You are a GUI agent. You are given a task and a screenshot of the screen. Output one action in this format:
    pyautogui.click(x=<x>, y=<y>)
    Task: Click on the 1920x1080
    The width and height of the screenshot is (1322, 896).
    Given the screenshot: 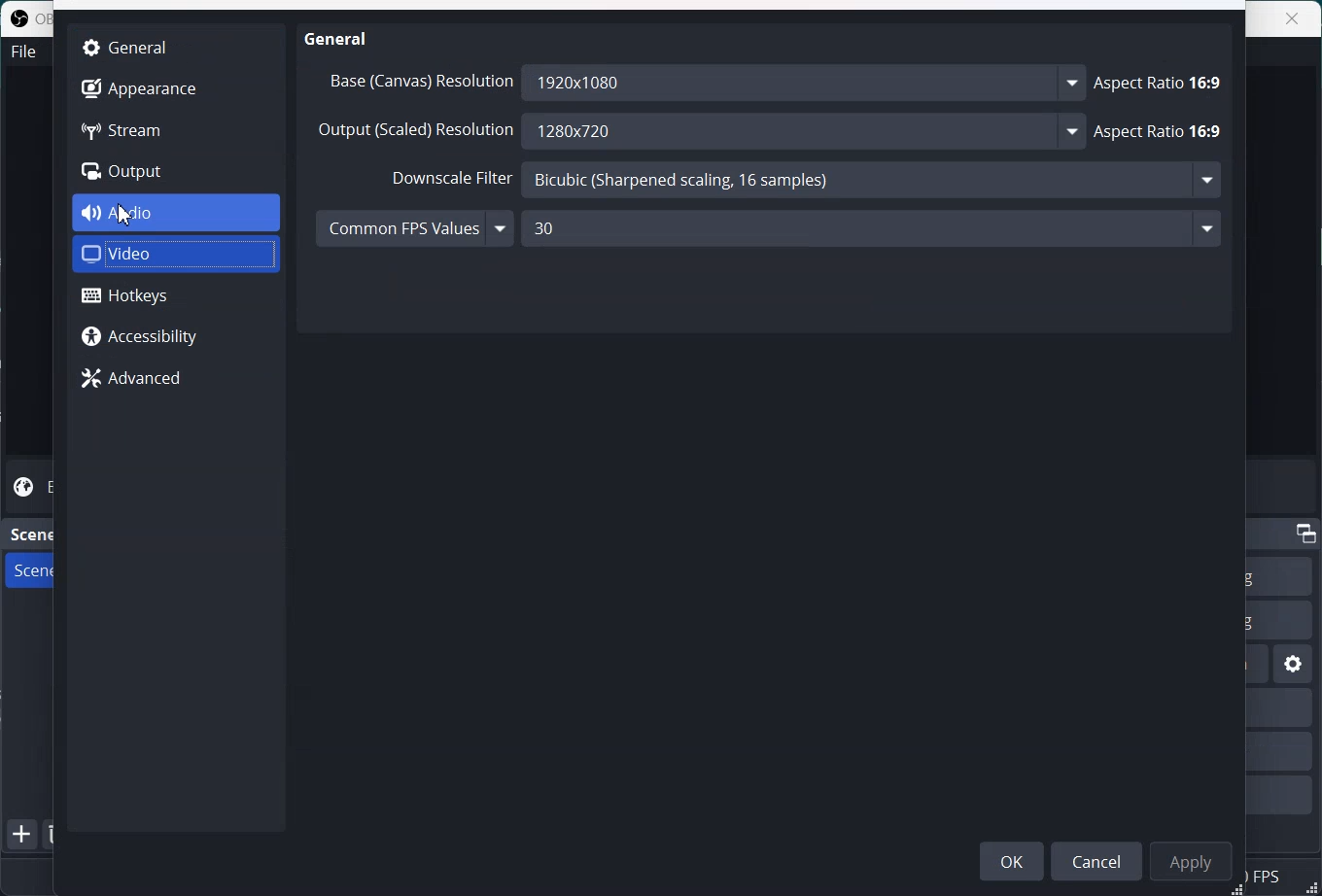 What is the action you would take?
    pyautogui.click(x=809, y=82)
    